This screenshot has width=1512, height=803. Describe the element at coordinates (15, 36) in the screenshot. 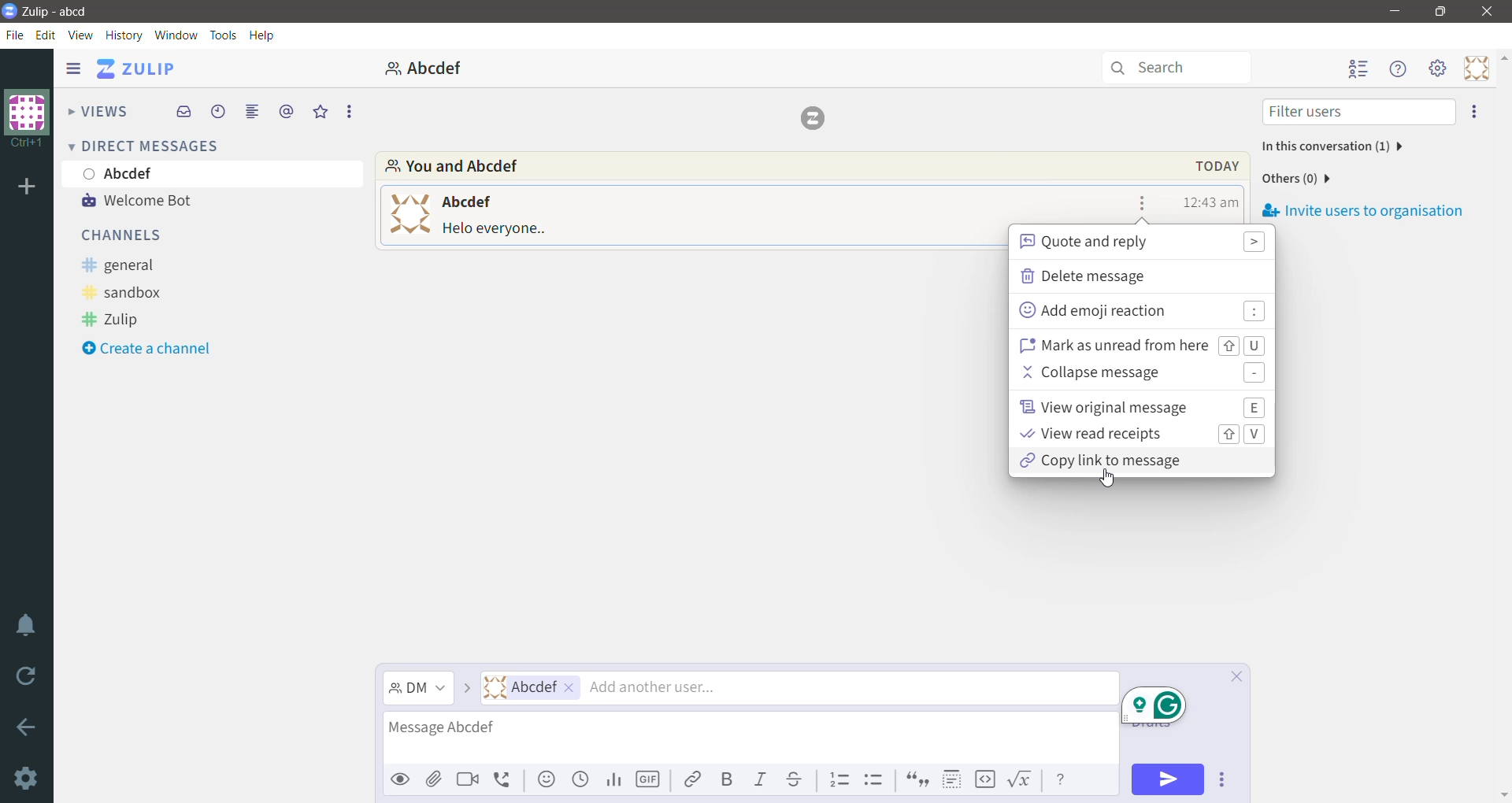

I see `File` at that location.